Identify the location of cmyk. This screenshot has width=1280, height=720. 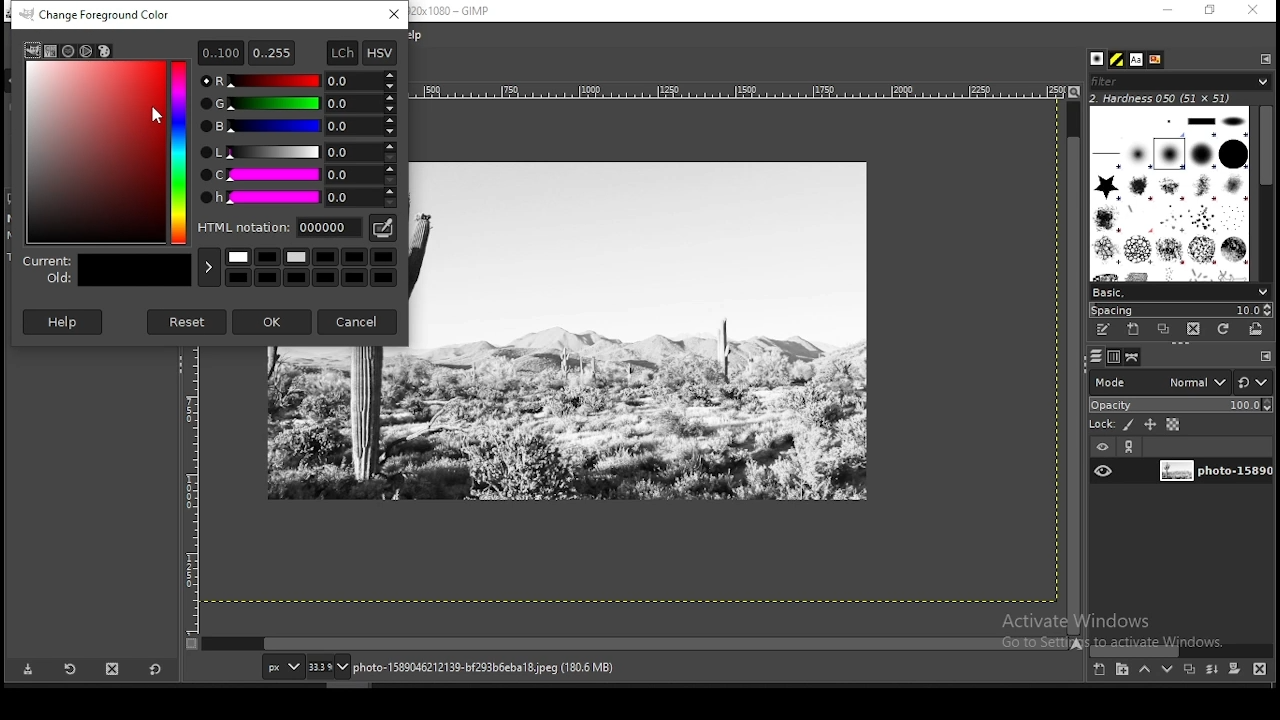
(68, 52).